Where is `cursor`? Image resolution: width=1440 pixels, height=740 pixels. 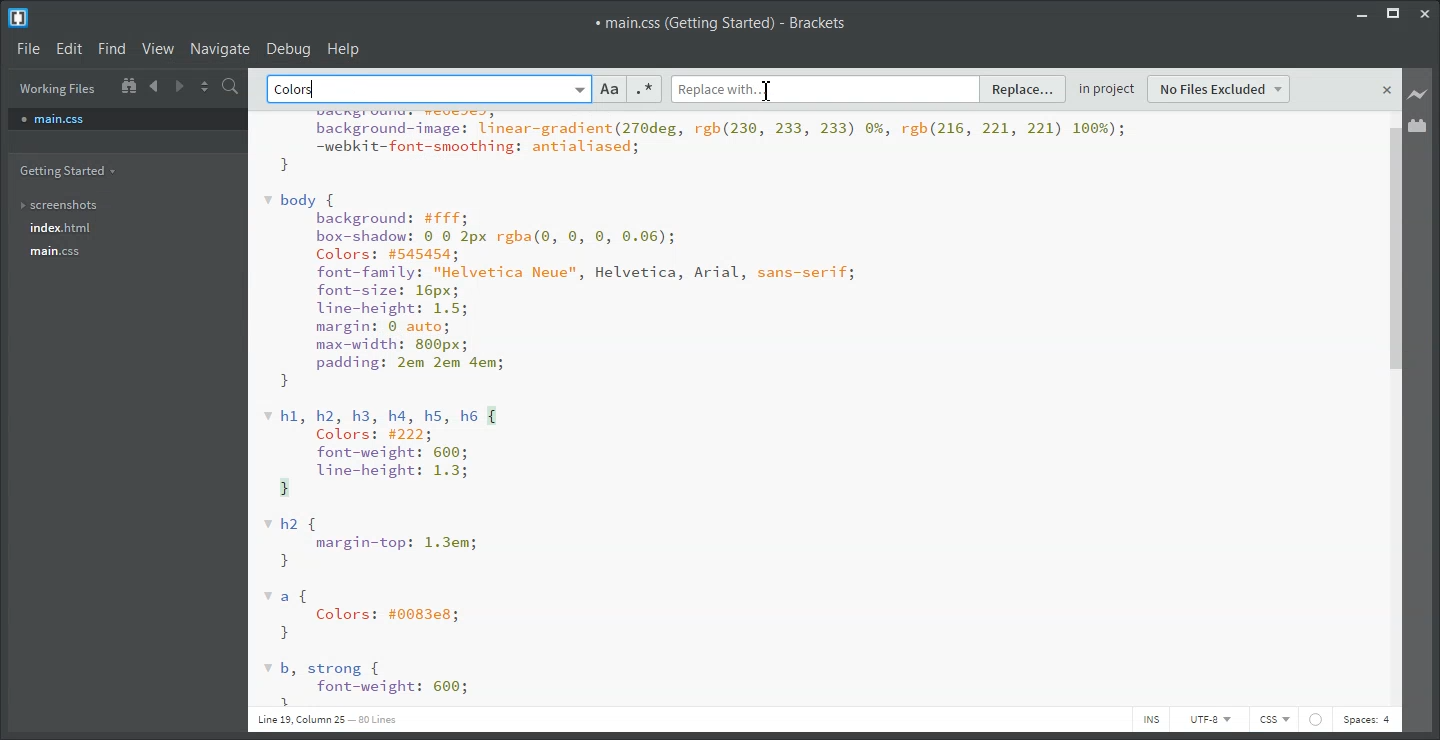 cursor is located at coordinates (770, 90).